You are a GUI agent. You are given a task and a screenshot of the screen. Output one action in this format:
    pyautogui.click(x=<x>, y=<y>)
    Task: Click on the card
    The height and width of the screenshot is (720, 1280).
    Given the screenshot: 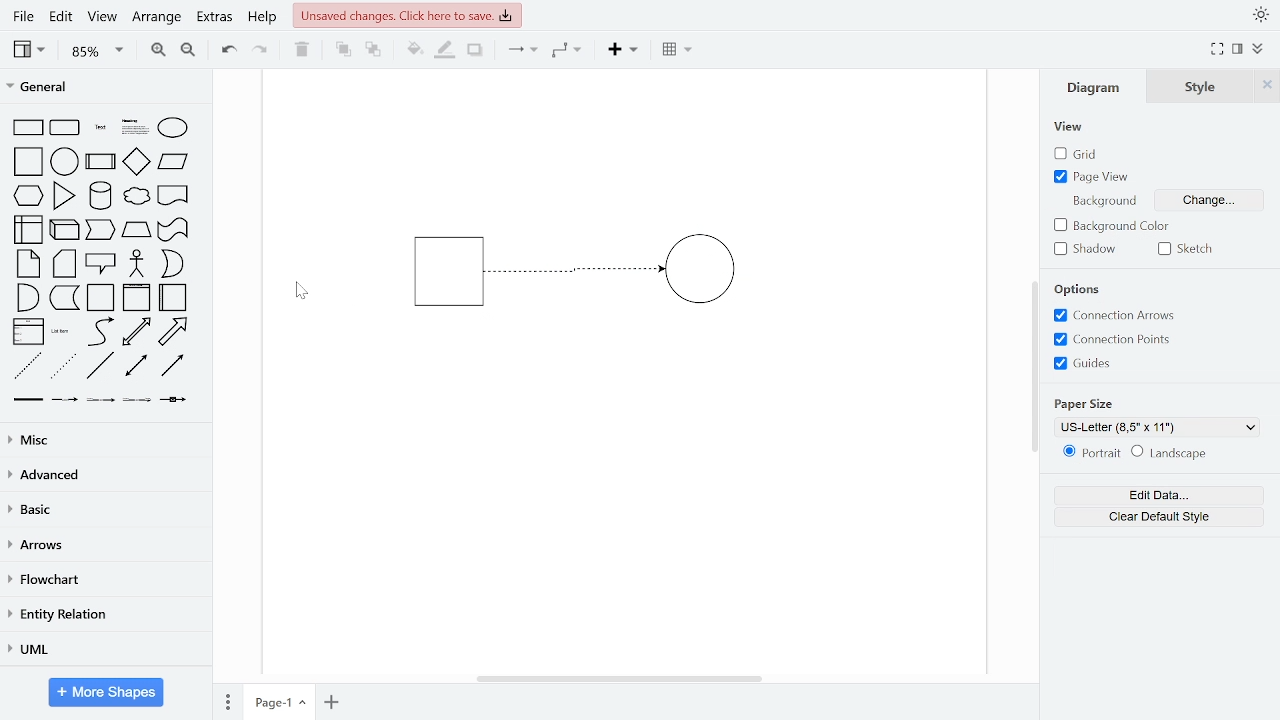 What is the action you would take?
    pyautogui.click(x=66, y=264)
    